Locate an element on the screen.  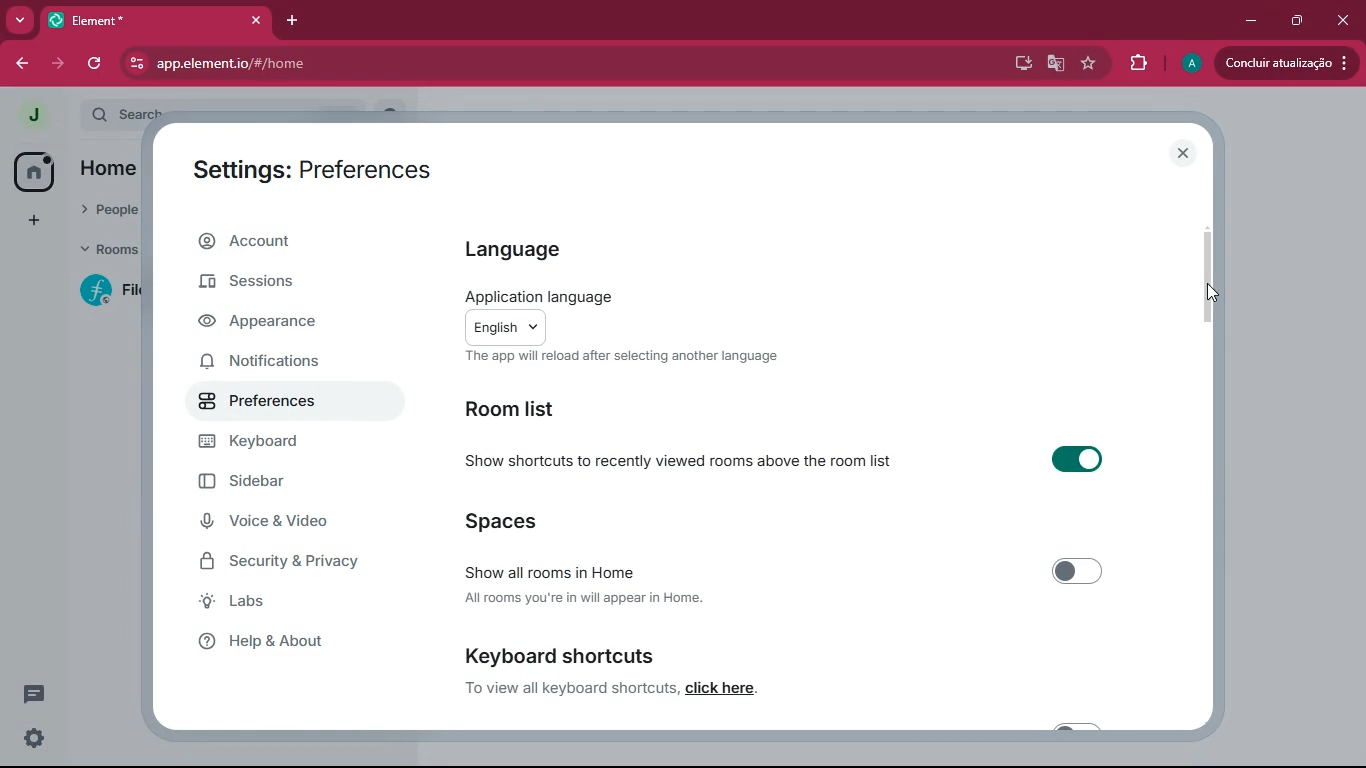
security & security is located at coordinates (301, 560).